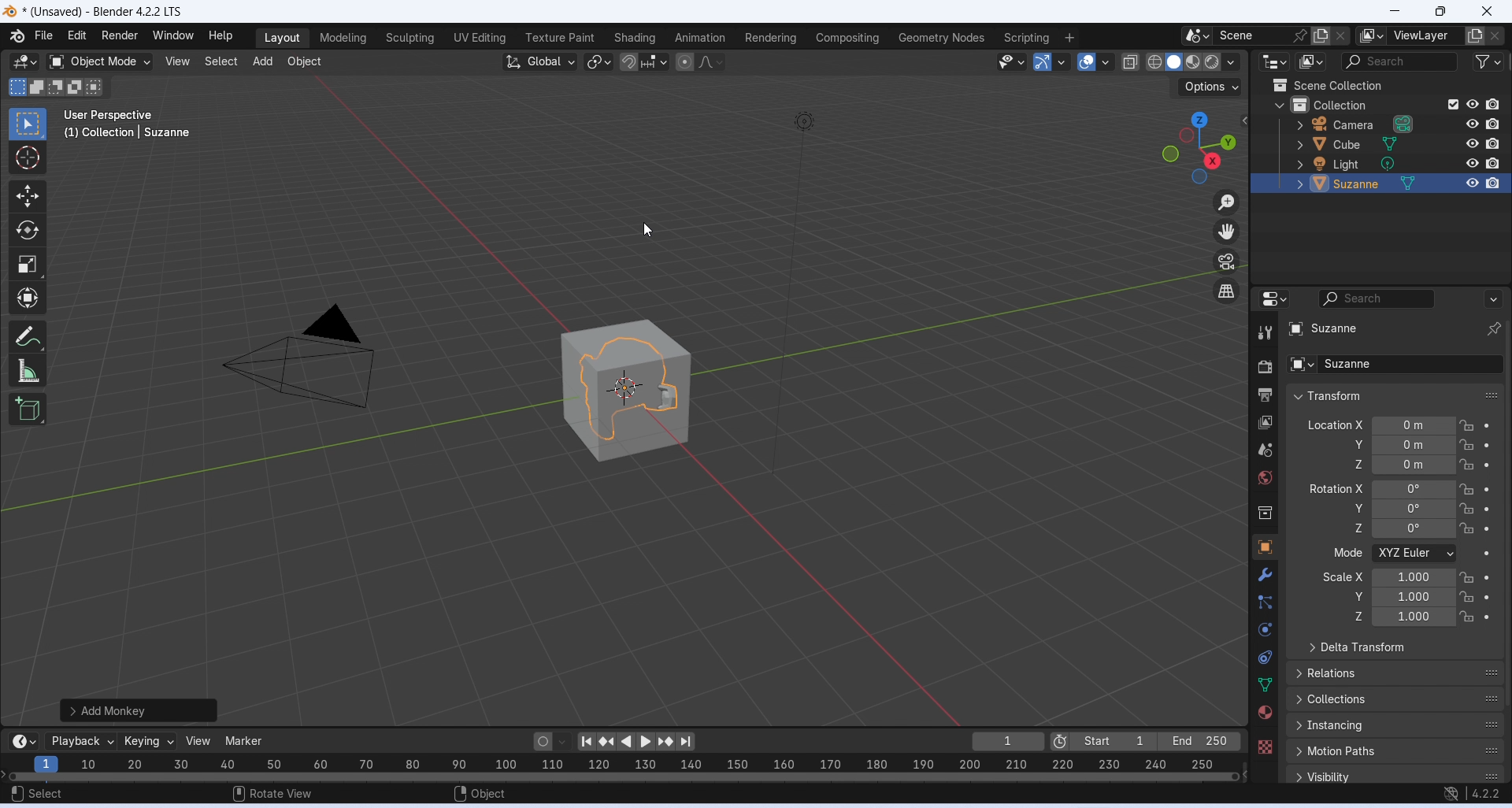  What do you see at coordinates (1197, 147) in the screenshot?
I see `Click` at bounding box center [1197, 147].